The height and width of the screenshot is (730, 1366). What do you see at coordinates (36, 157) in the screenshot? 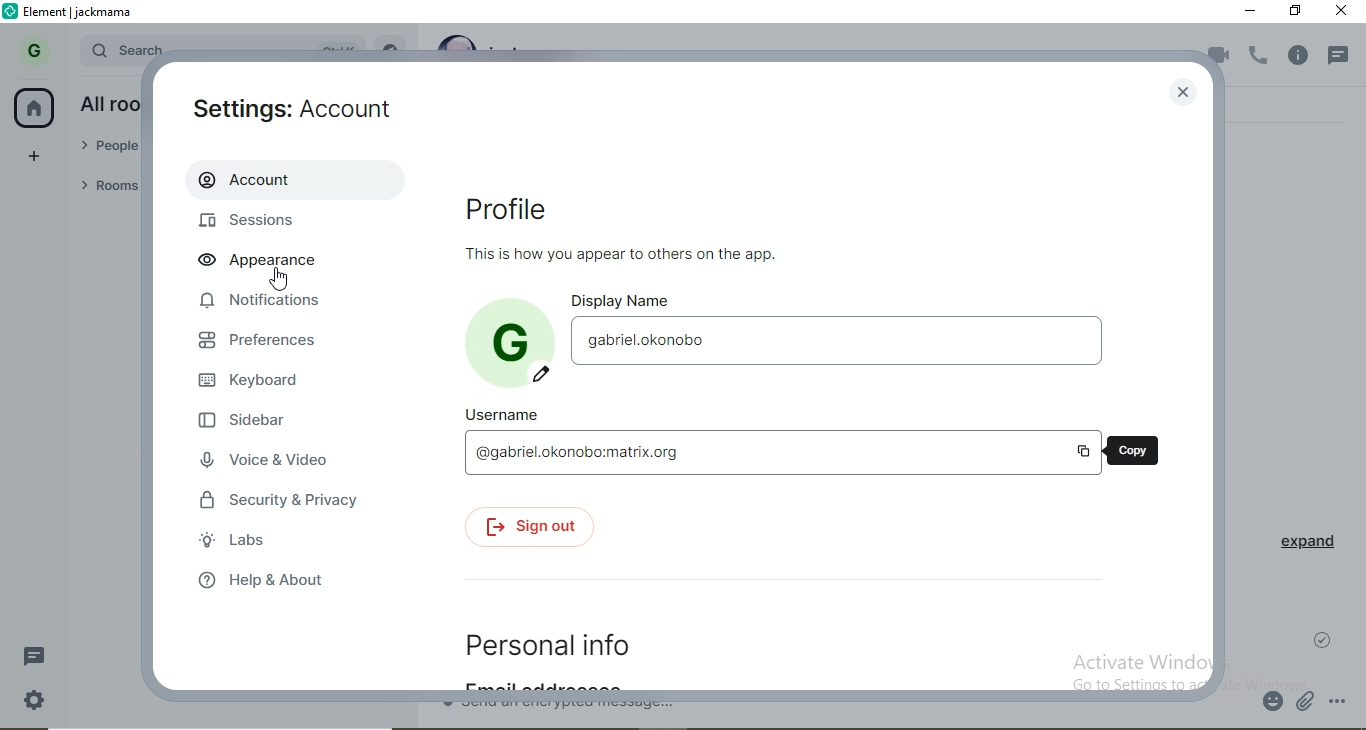
I see `add` at bounding box center [36, 157].